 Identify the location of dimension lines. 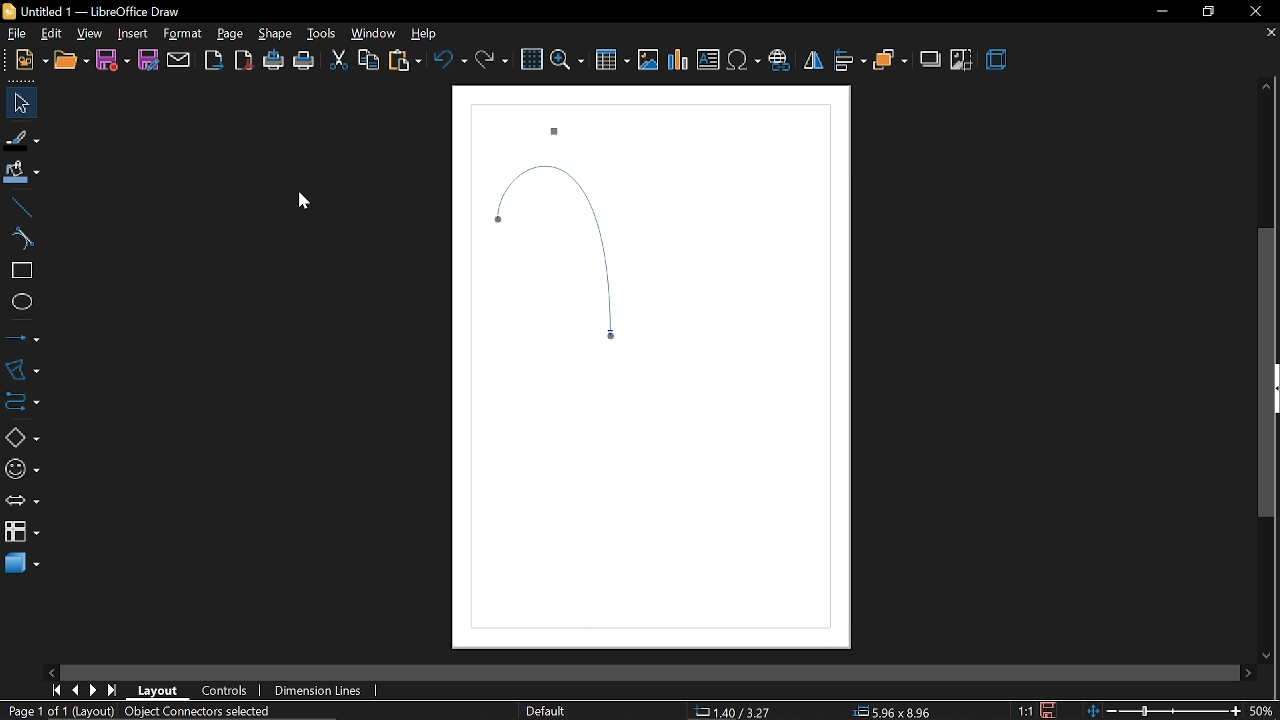
(321, 691).